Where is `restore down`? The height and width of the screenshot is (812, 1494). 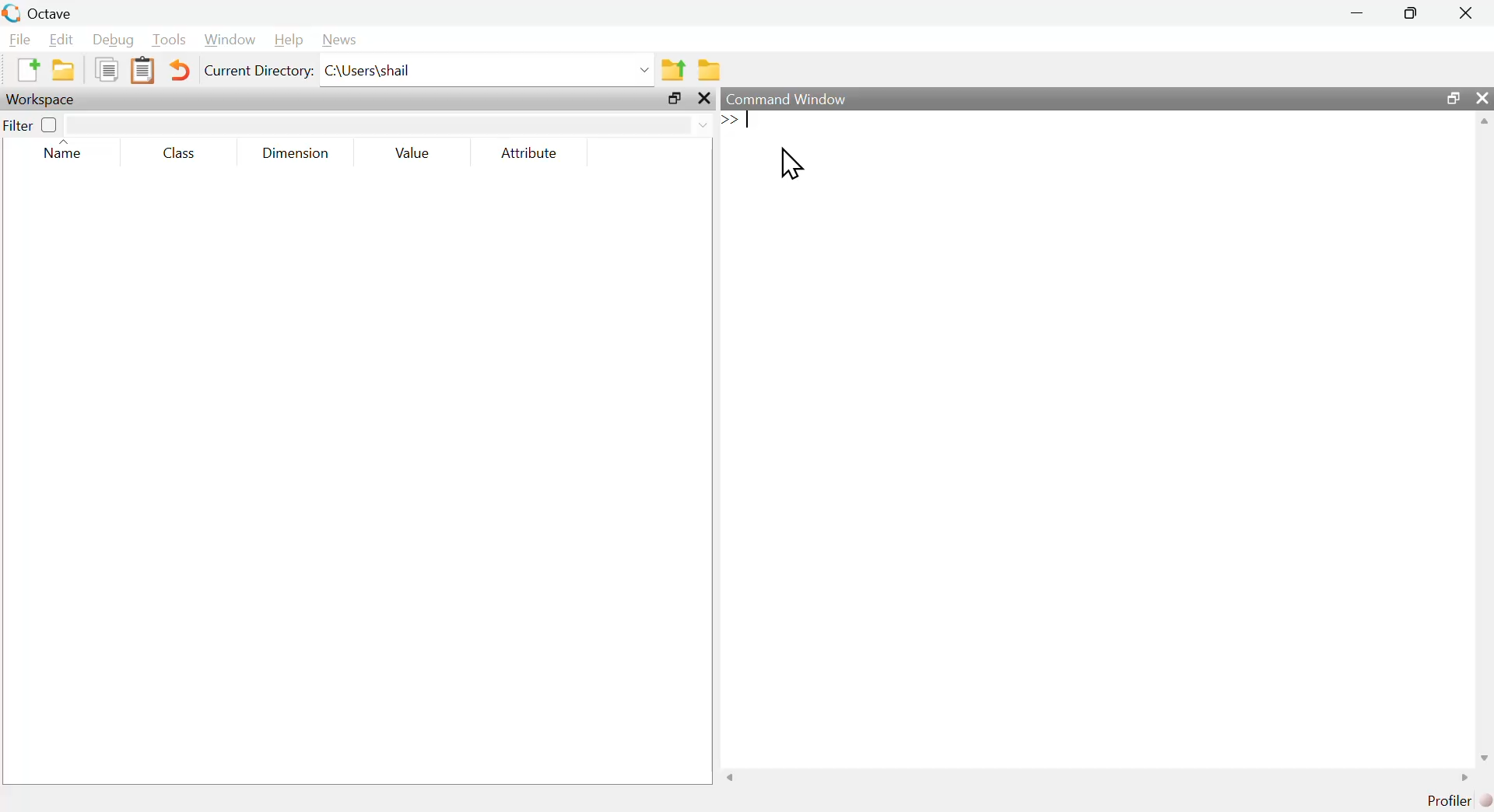 restore down is located at coordinates (1404, 13).